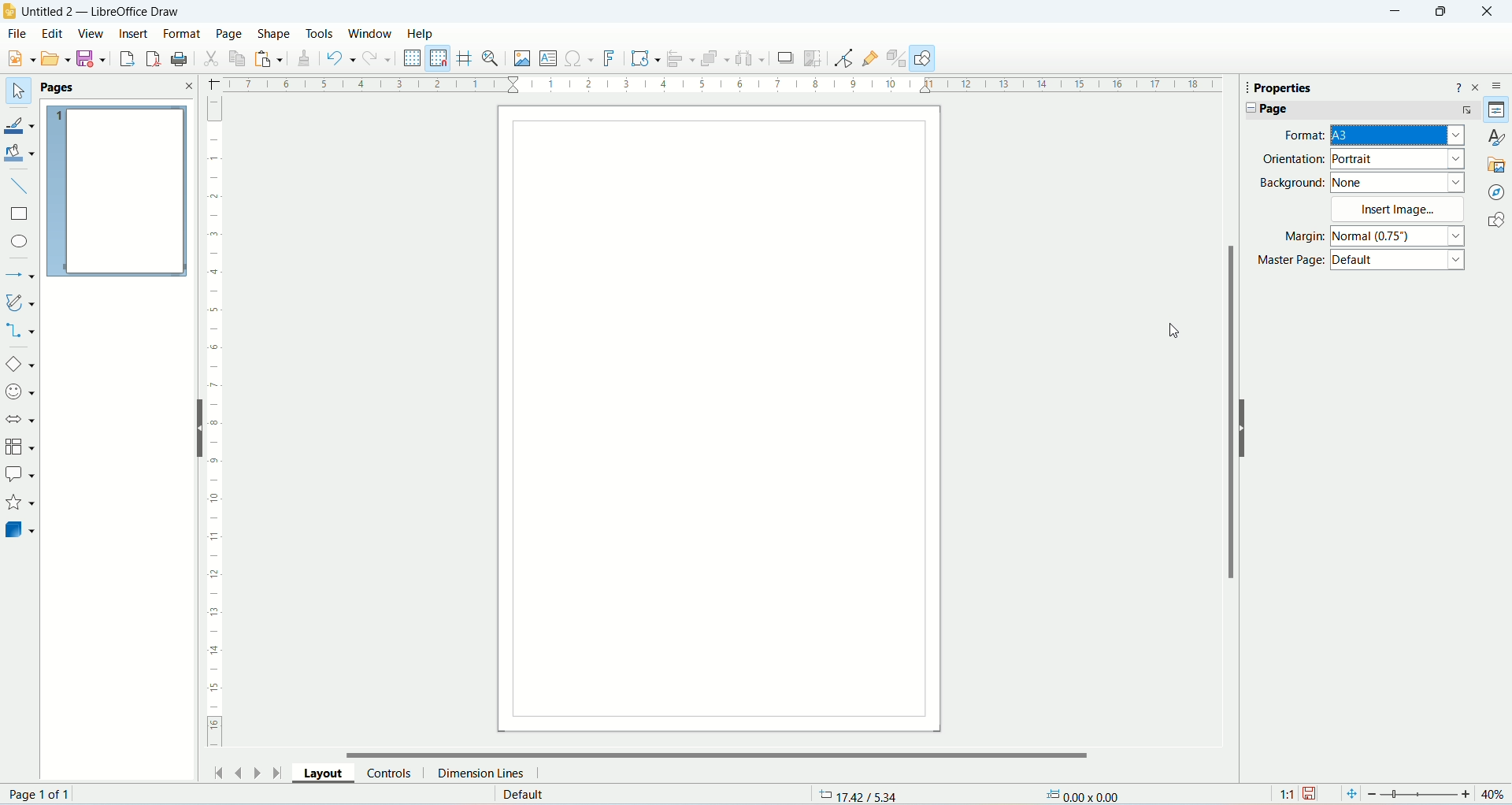  What do you see at coordinates (307, 61) in the screenshot?
I see `clone formatting` at bounding box center [307, 61].